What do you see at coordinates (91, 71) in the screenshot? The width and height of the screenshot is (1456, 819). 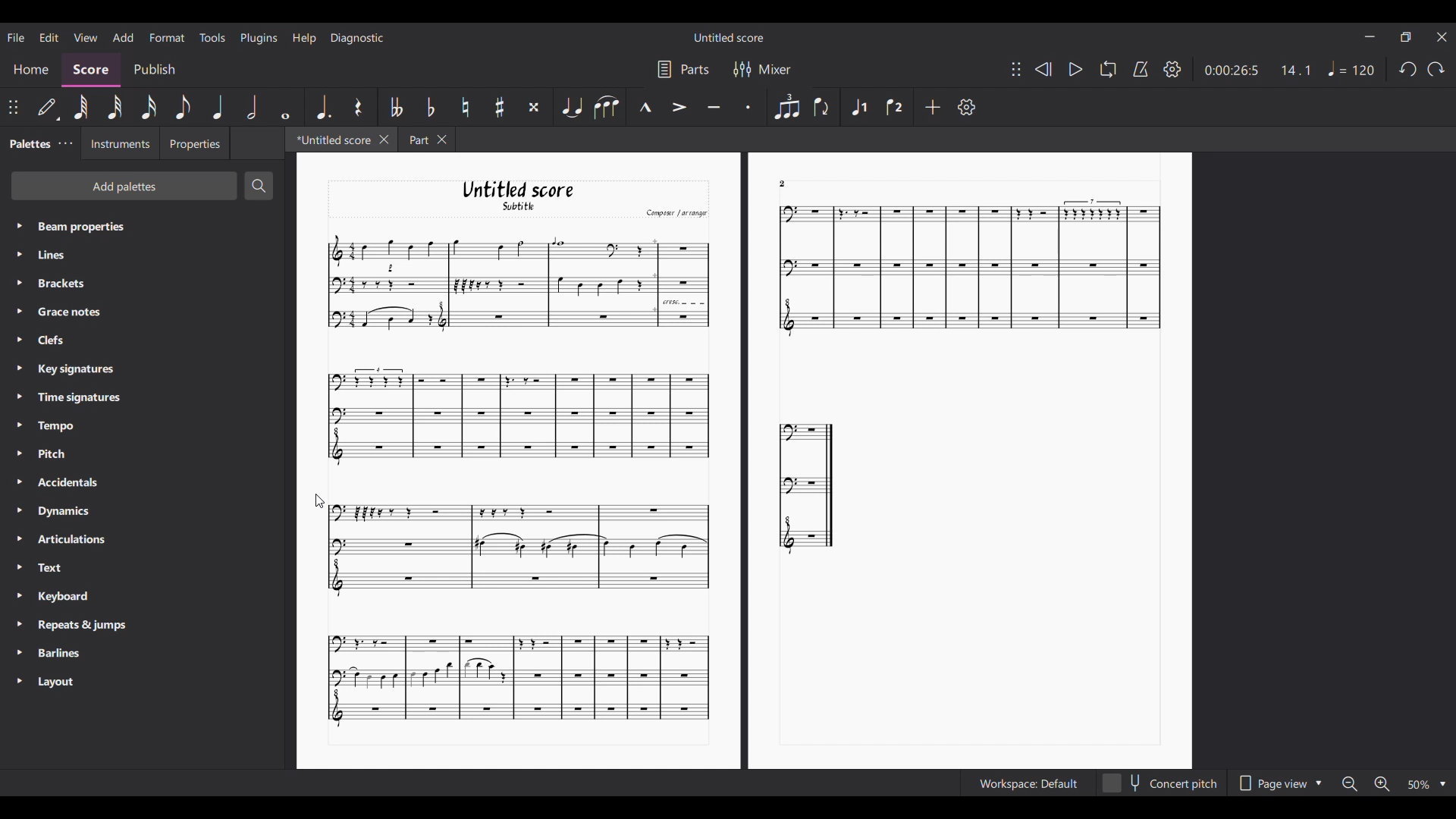 I see `Score ` at bounding box center [91, 71].